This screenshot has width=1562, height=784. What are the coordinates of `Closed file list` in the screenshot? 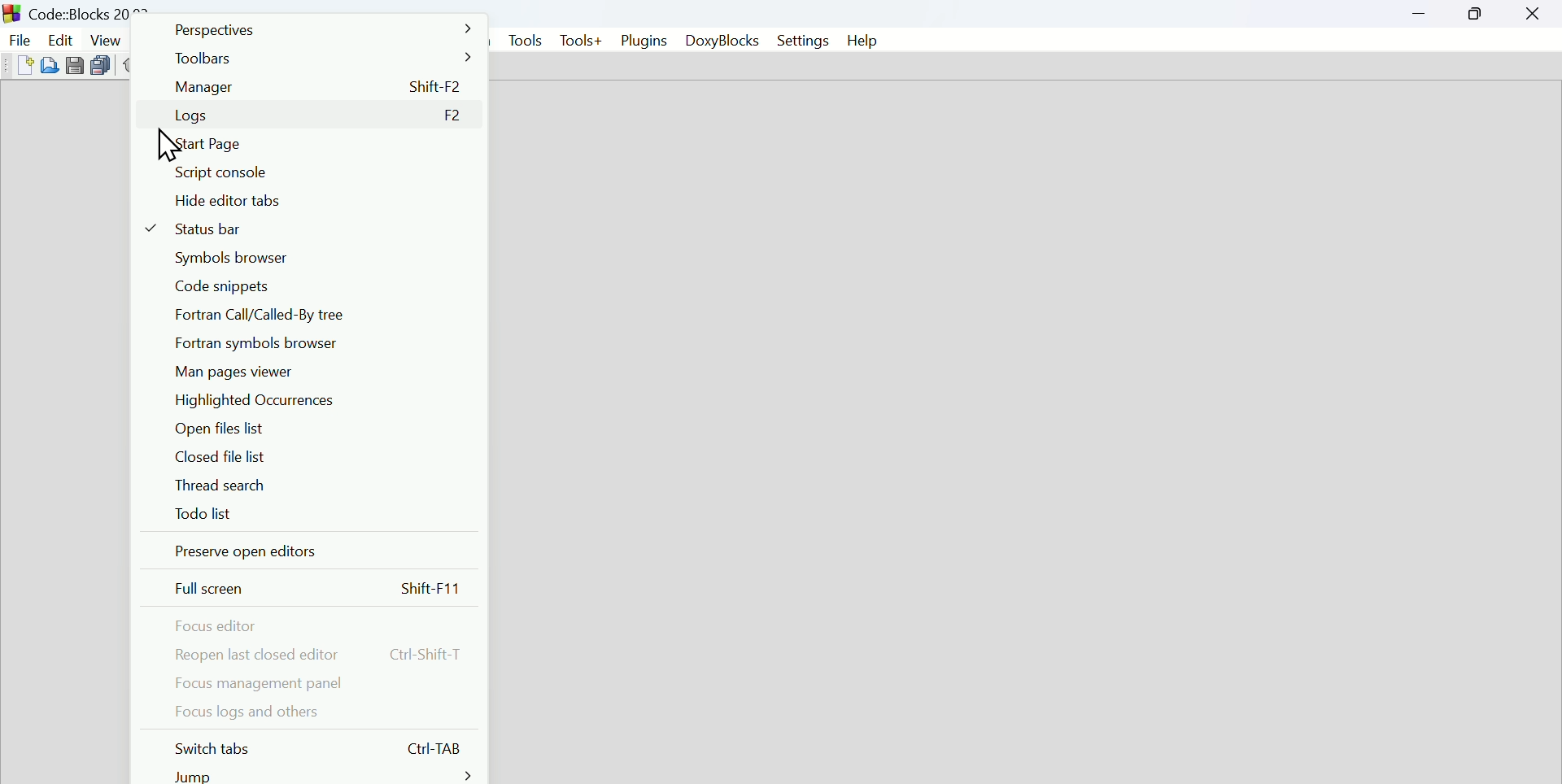 It's located at (323, 457).